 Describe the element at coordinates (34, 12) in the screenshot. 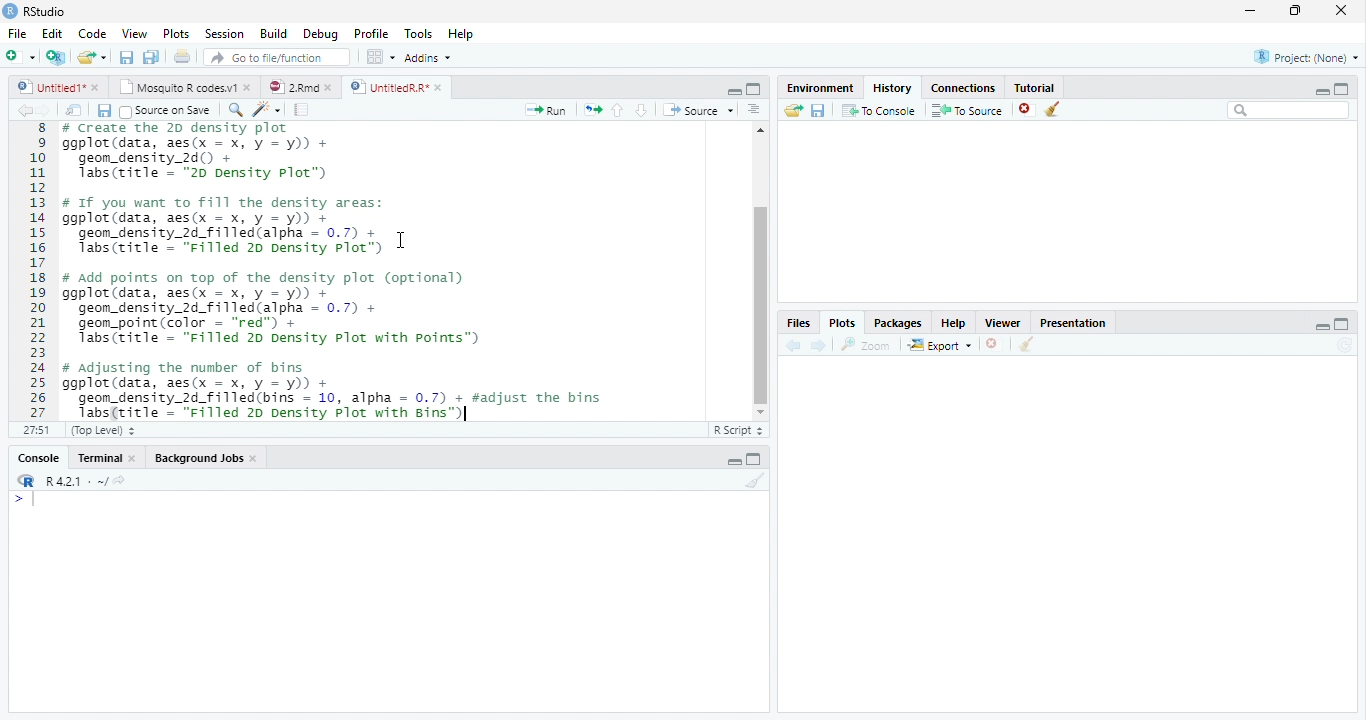

I see `' RStudio` at that location.